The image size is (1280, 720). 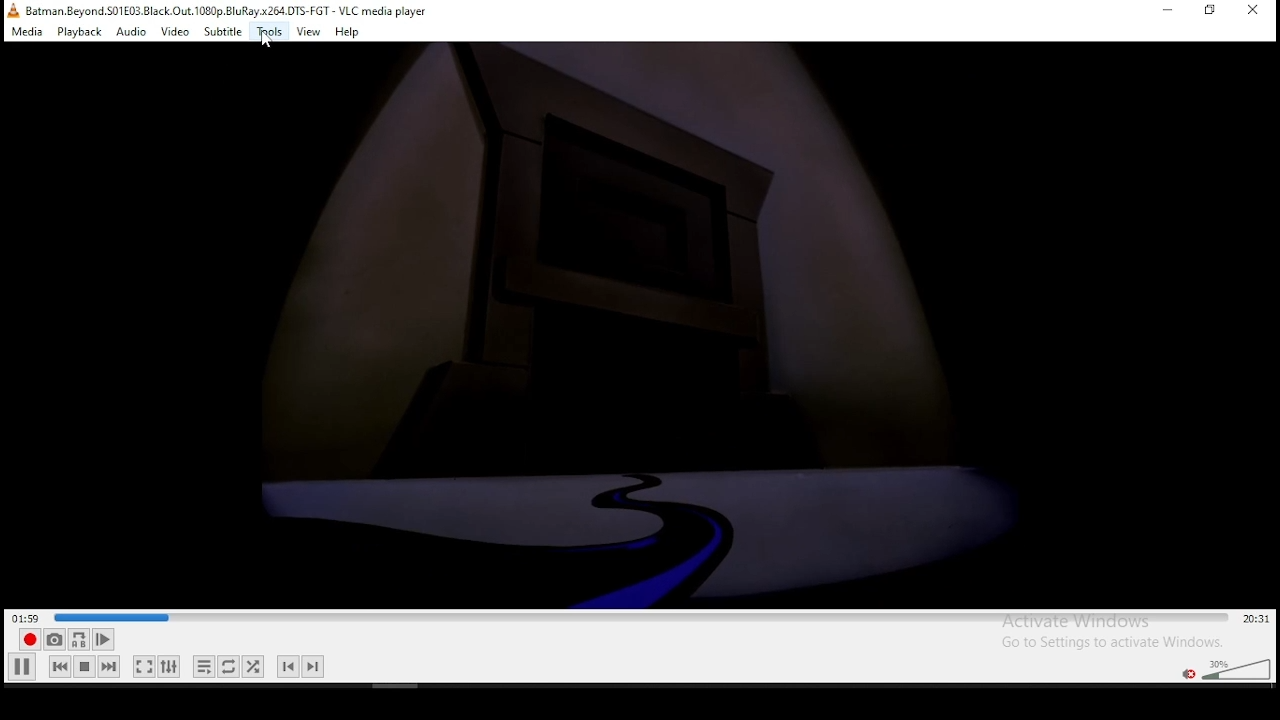 What do you see at coordinates (1255, 10) in the screenshot?
I see `close window` at bounding box center [1255, 10].